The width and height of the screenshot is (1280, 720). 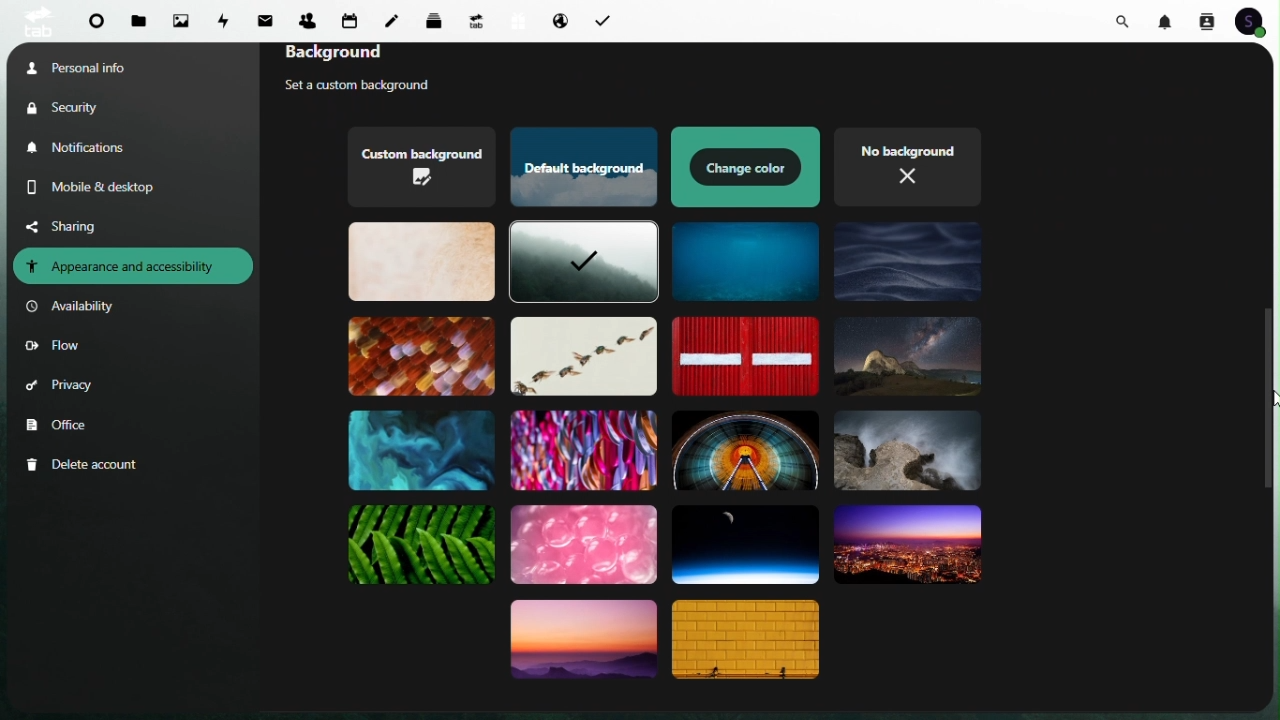 What do you see at coordinates (514, 21) in the screenshot?
I see `free trail` at bounding box center [514, 21].